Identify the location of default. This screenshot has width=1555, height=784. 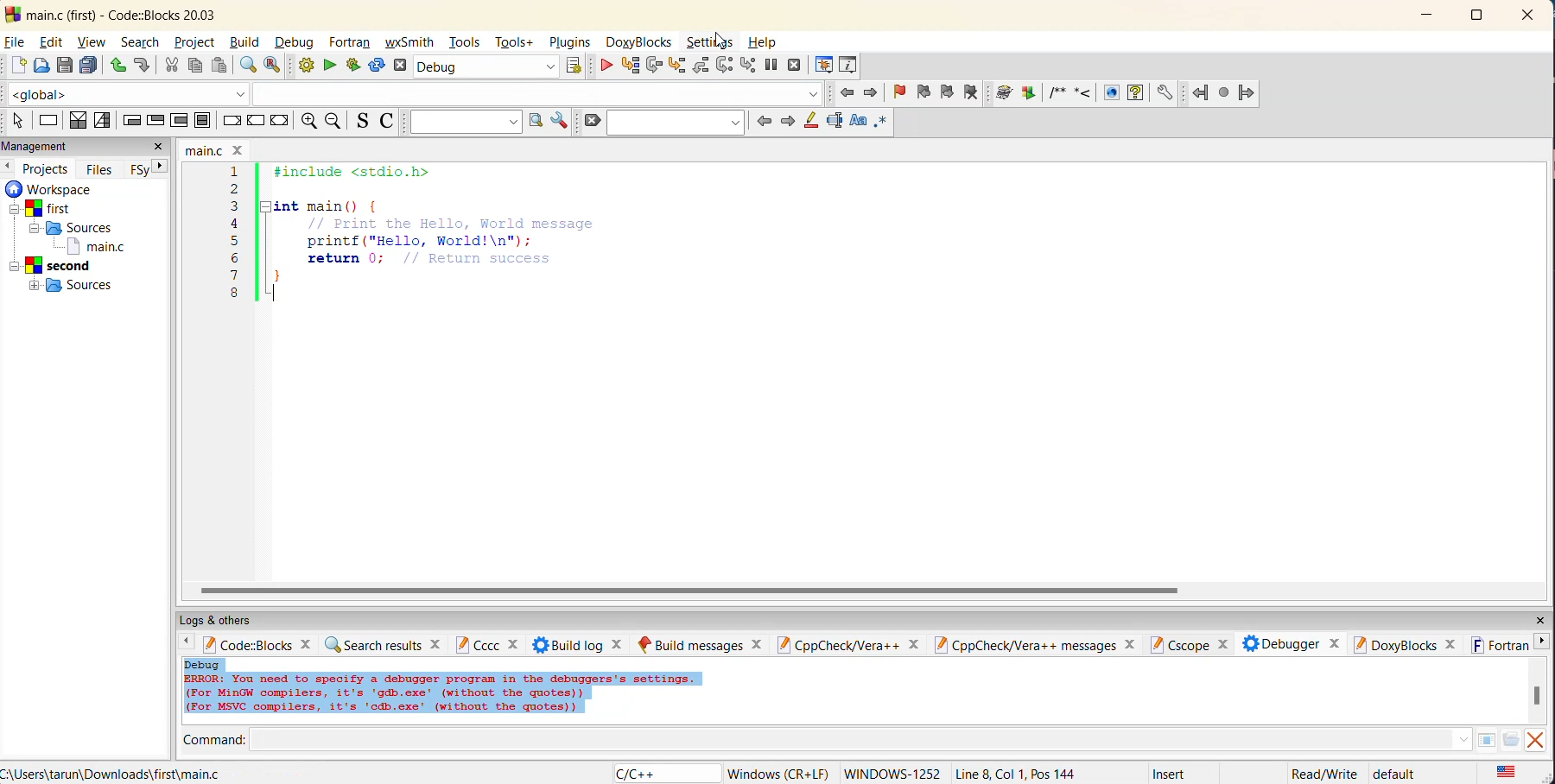
(1396, 774).